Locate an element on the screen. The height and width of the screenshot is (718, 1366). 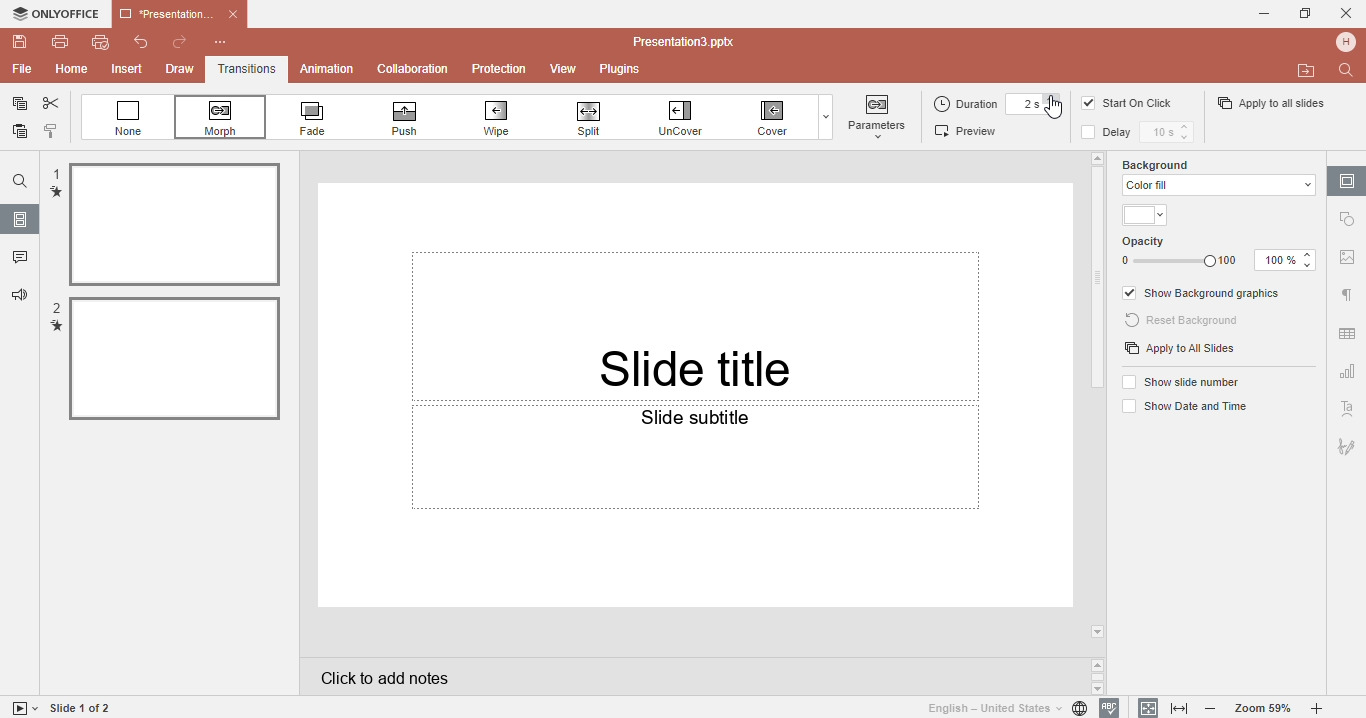
Home is located at coordinates (71, 69).